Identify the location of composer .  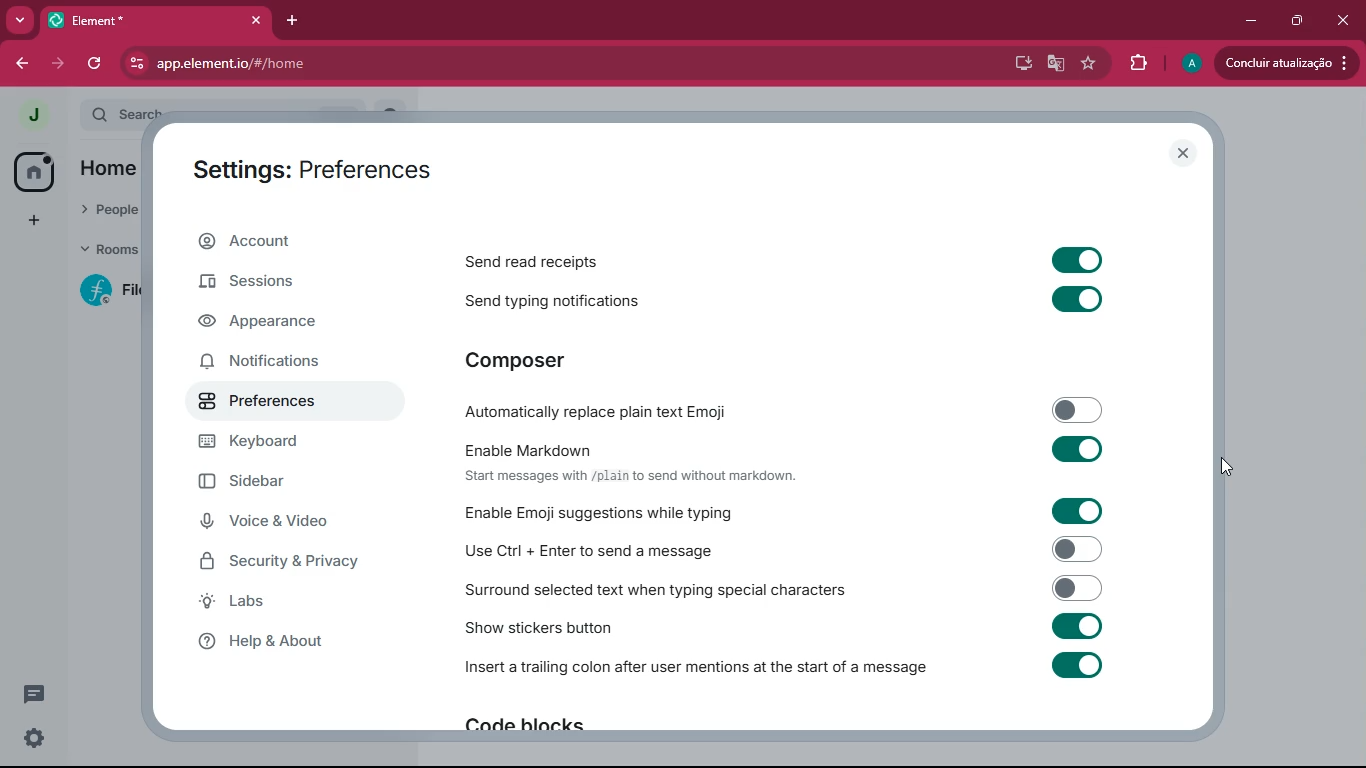
(528, 361).